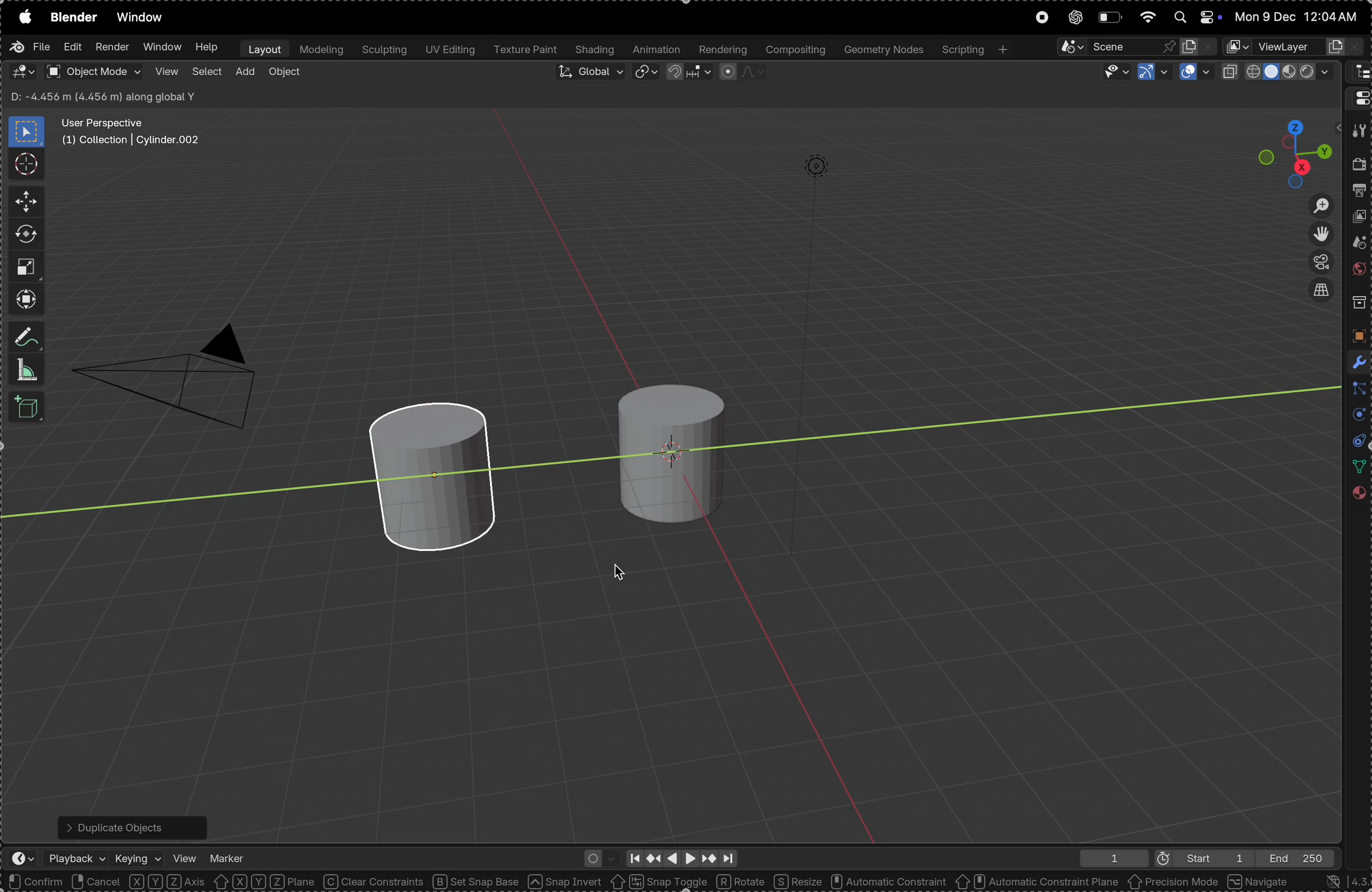 This screenshot has height=892, width=1372. What do you see at coordinates (161, 48) in the screenshot?
I see `Window` at bounding box center [161, 48].